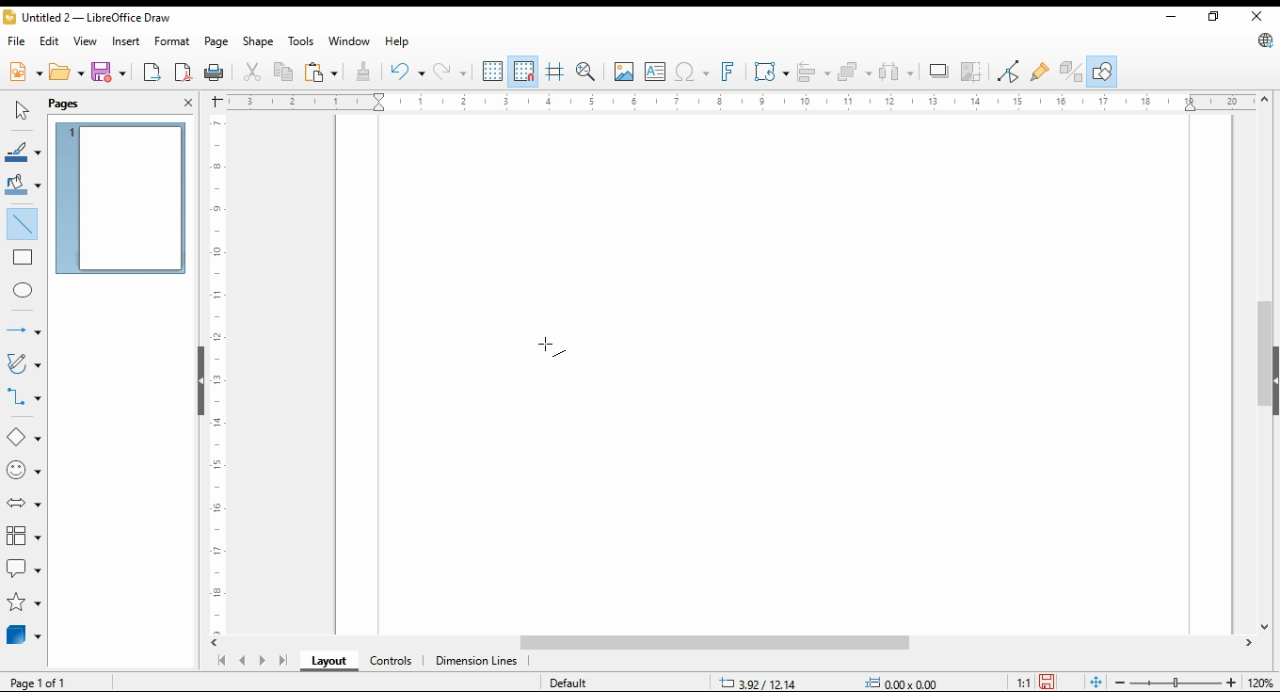 This screenshot has width=1280, height=692. Describe the element at coordinates (321, 71) in the screenshot. I see `paste` at that location.